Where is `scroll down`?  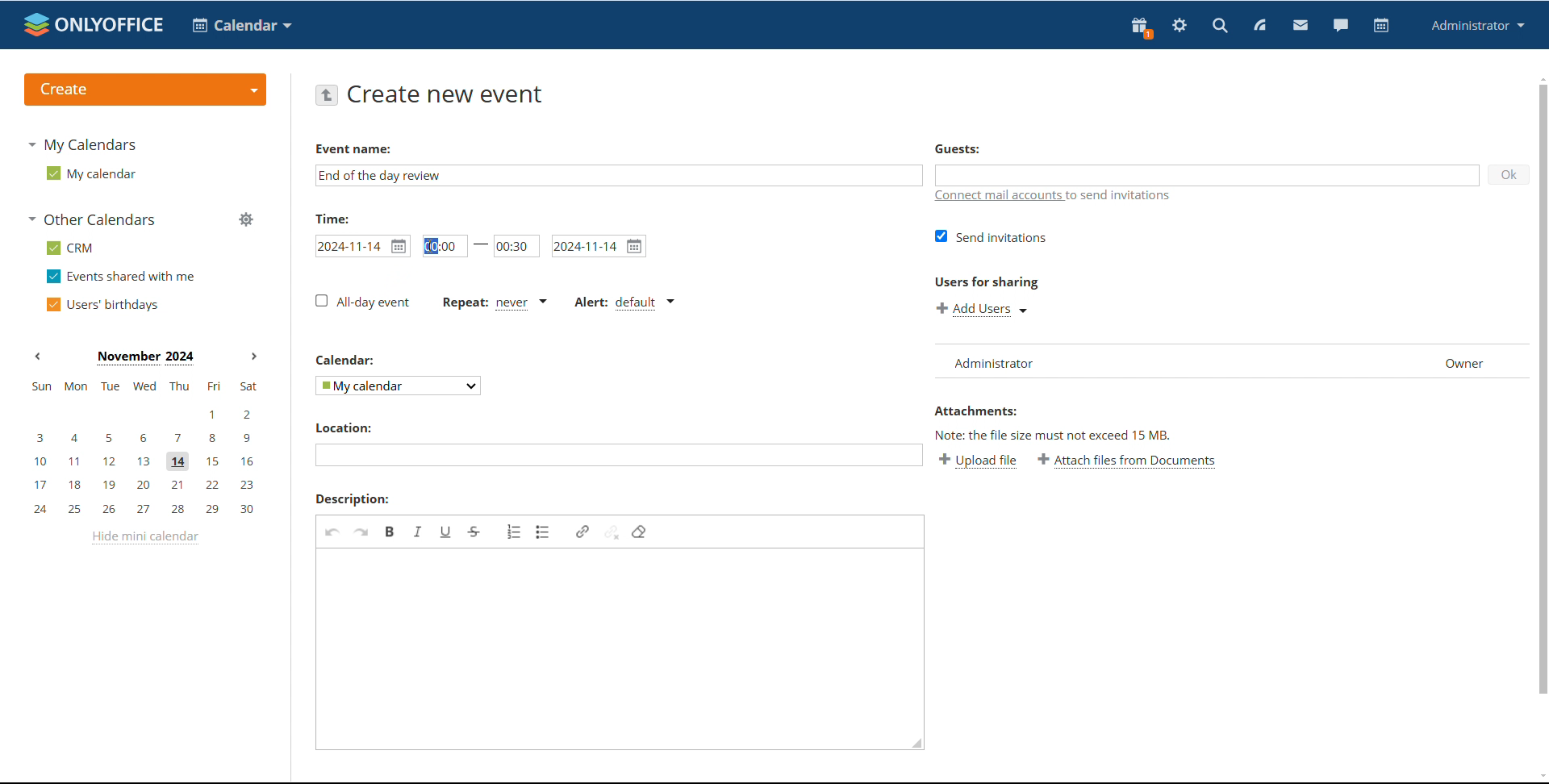 scroll down is located at coordinates (1539, 778).